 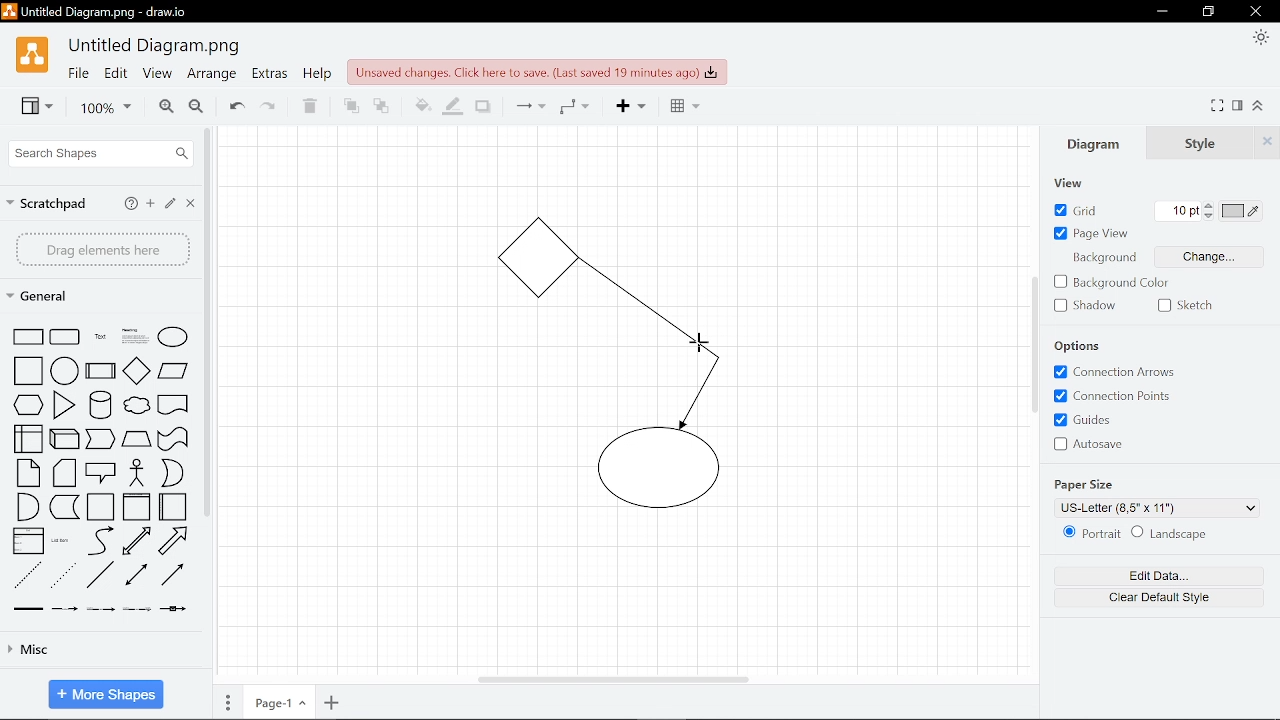 What do you see at coordinates (66, 370) in the screenshot?
I see `shape` at bounding box center [66, 370].